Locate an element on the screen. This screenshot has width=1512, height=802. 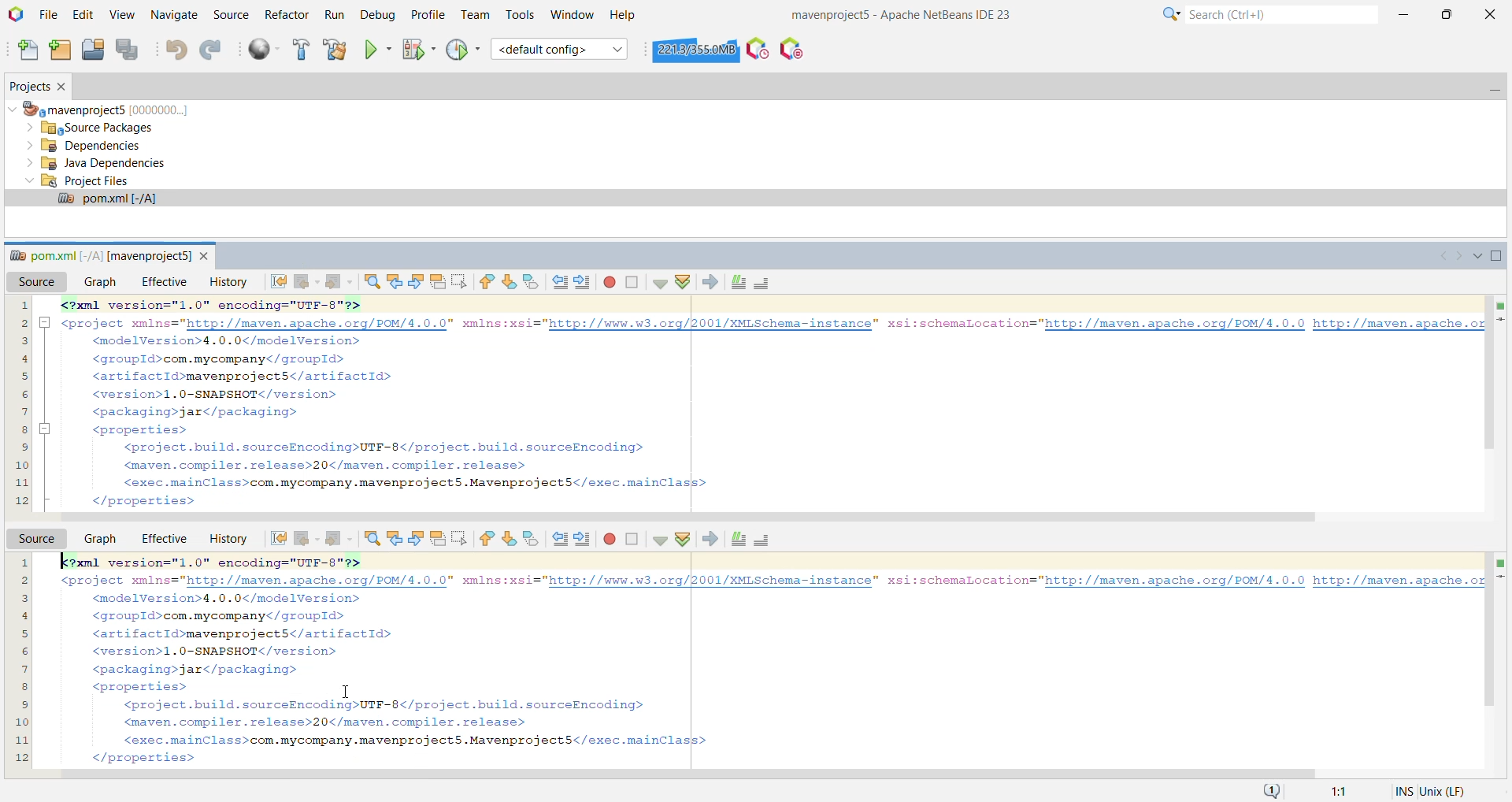
9 is located at coordinates (20, 444).